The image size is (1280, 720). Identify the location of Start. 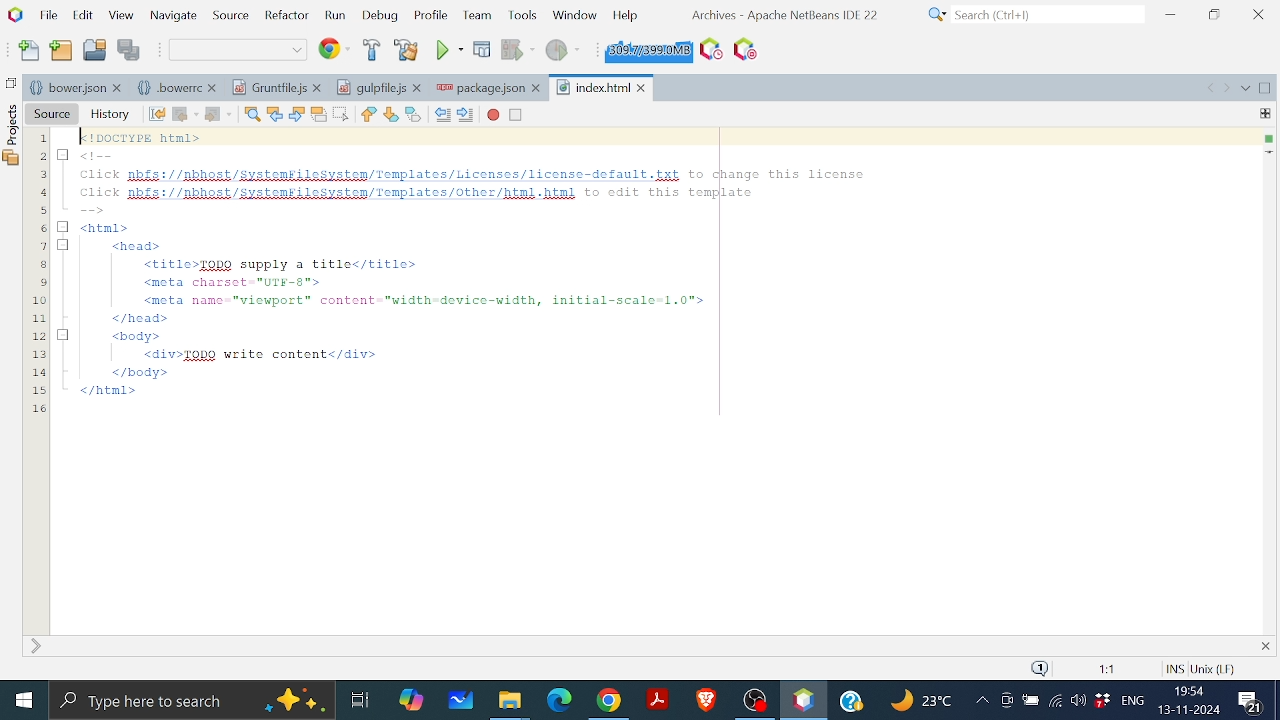
(25, 699).